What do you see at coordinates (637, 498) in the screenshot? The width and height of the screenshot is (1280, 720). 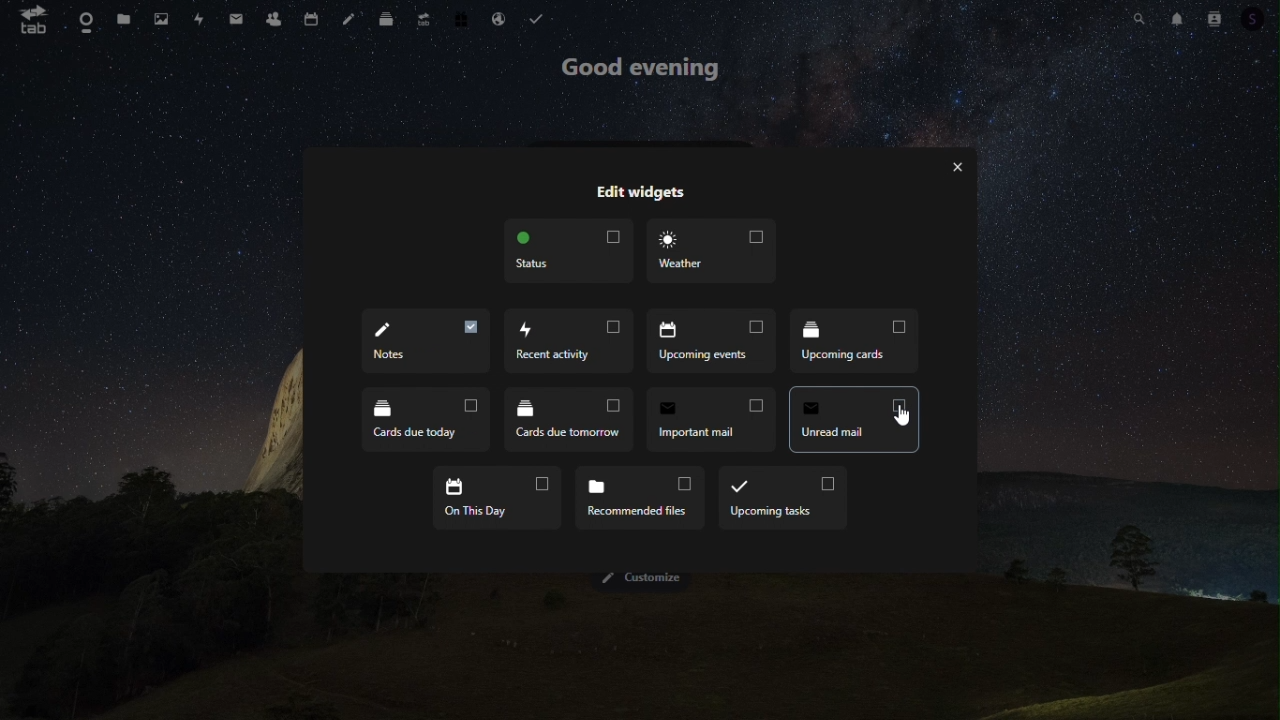 I see `Recommended files` at bounding box center [637, 498].